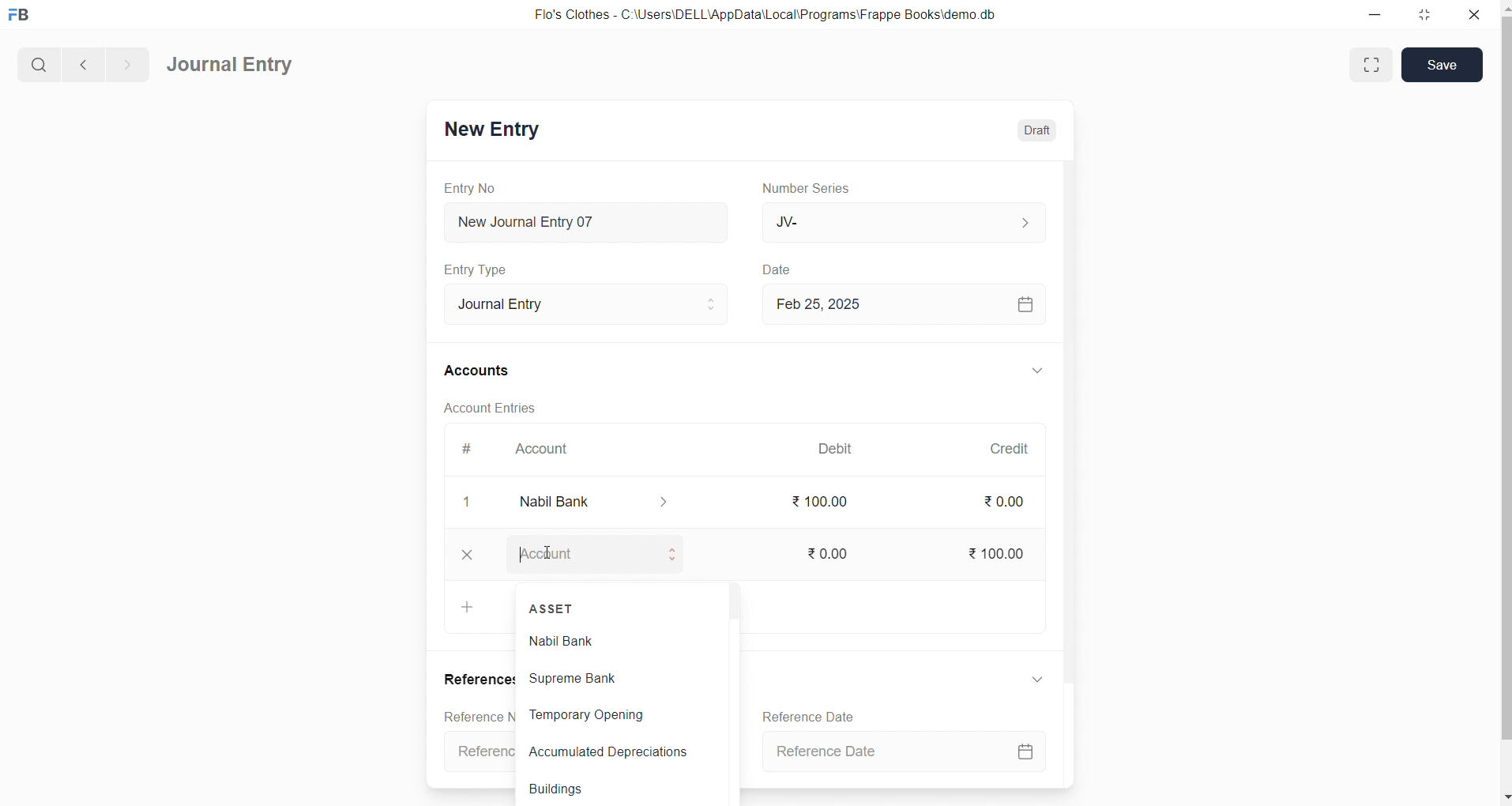 The image size is (1512, 806). Describe the element at coordinates (1011, 502) in the screenshot. I see `₹ 0.00` at that location.